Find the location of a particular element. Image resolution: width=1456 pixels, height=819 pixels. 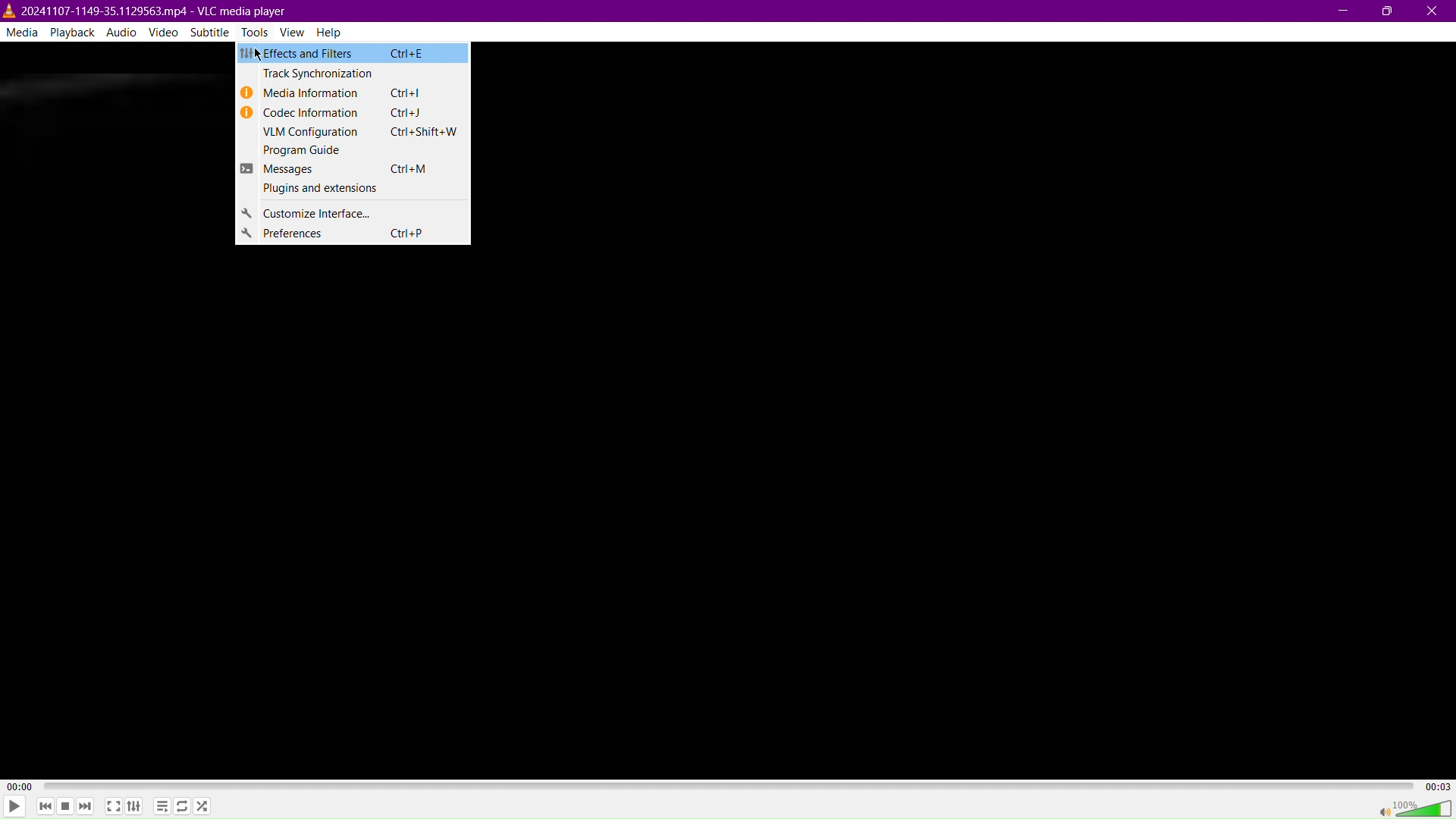

Track Synchronization is located at coordinates (354, 73).